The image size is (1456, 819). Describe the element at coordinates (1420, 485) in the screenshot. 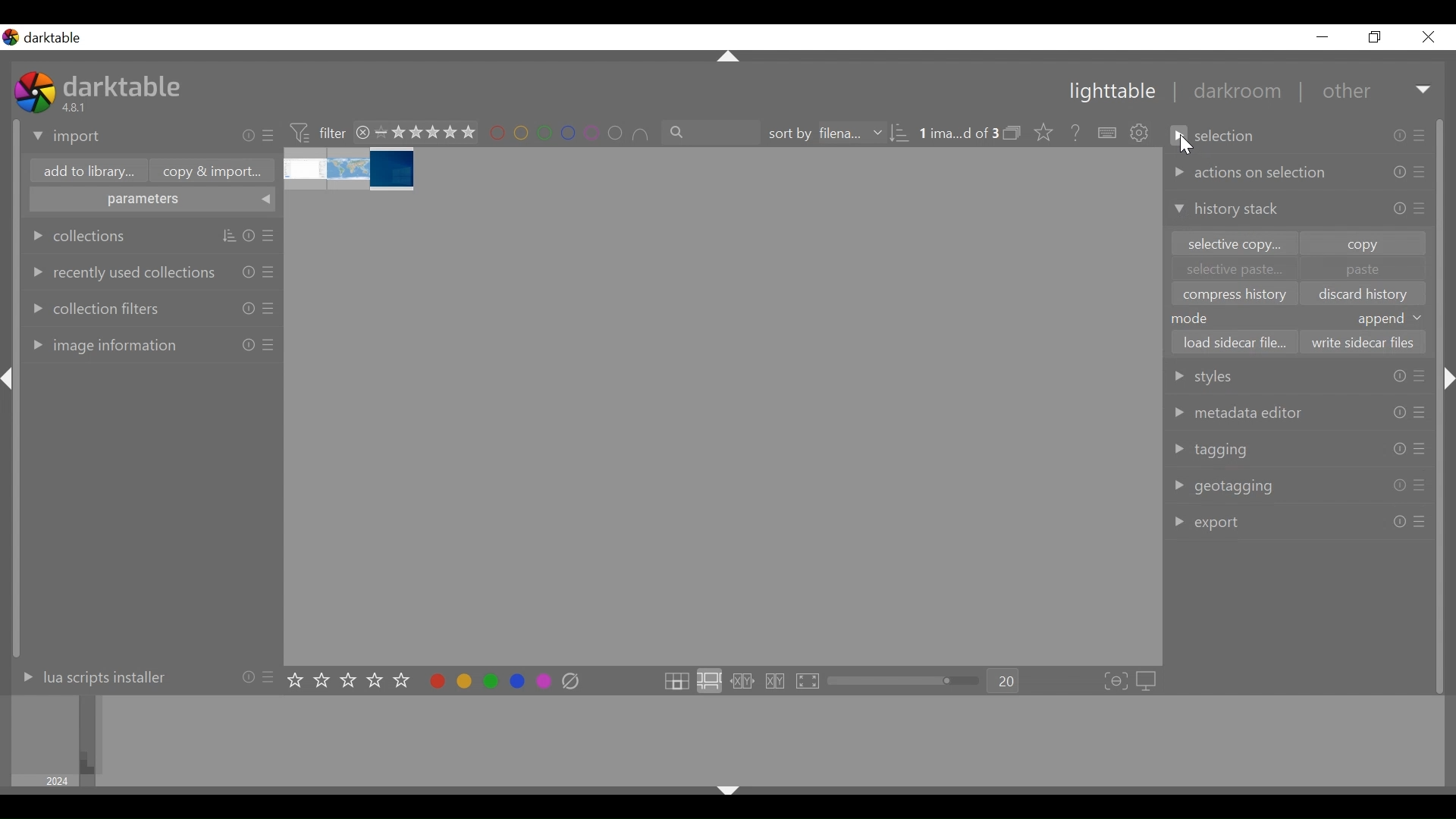

I see `presets` at that location.